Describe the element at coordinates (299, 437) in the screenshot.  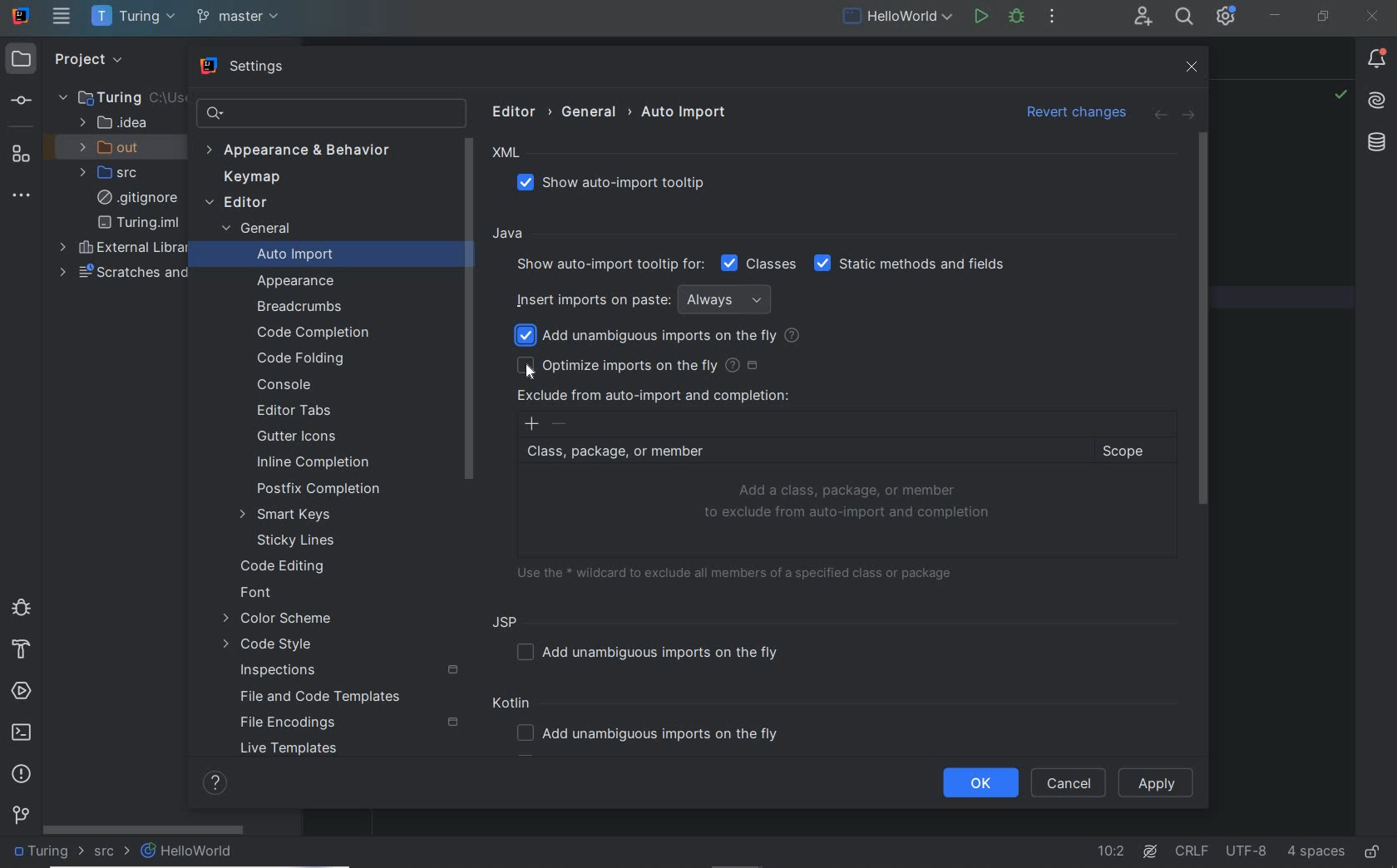
I see `GUTTER ICONS` at that location.